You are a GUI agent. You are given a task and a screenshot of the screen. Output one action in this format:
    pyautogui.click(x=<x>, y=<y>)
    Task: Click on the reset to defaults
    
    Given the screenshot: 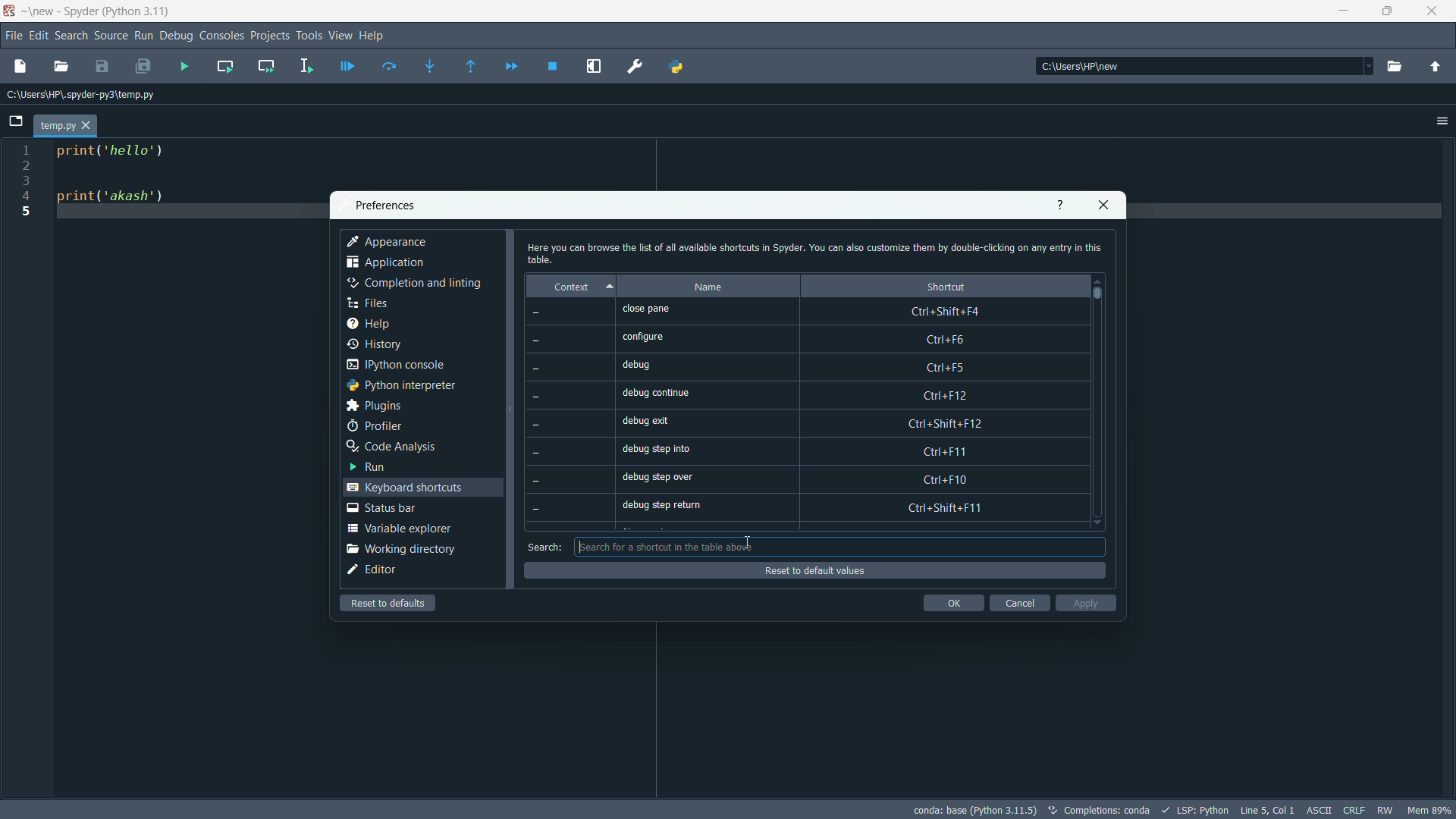 What is the action you would take?
    pyautogui.click(x=389, y=603)
    